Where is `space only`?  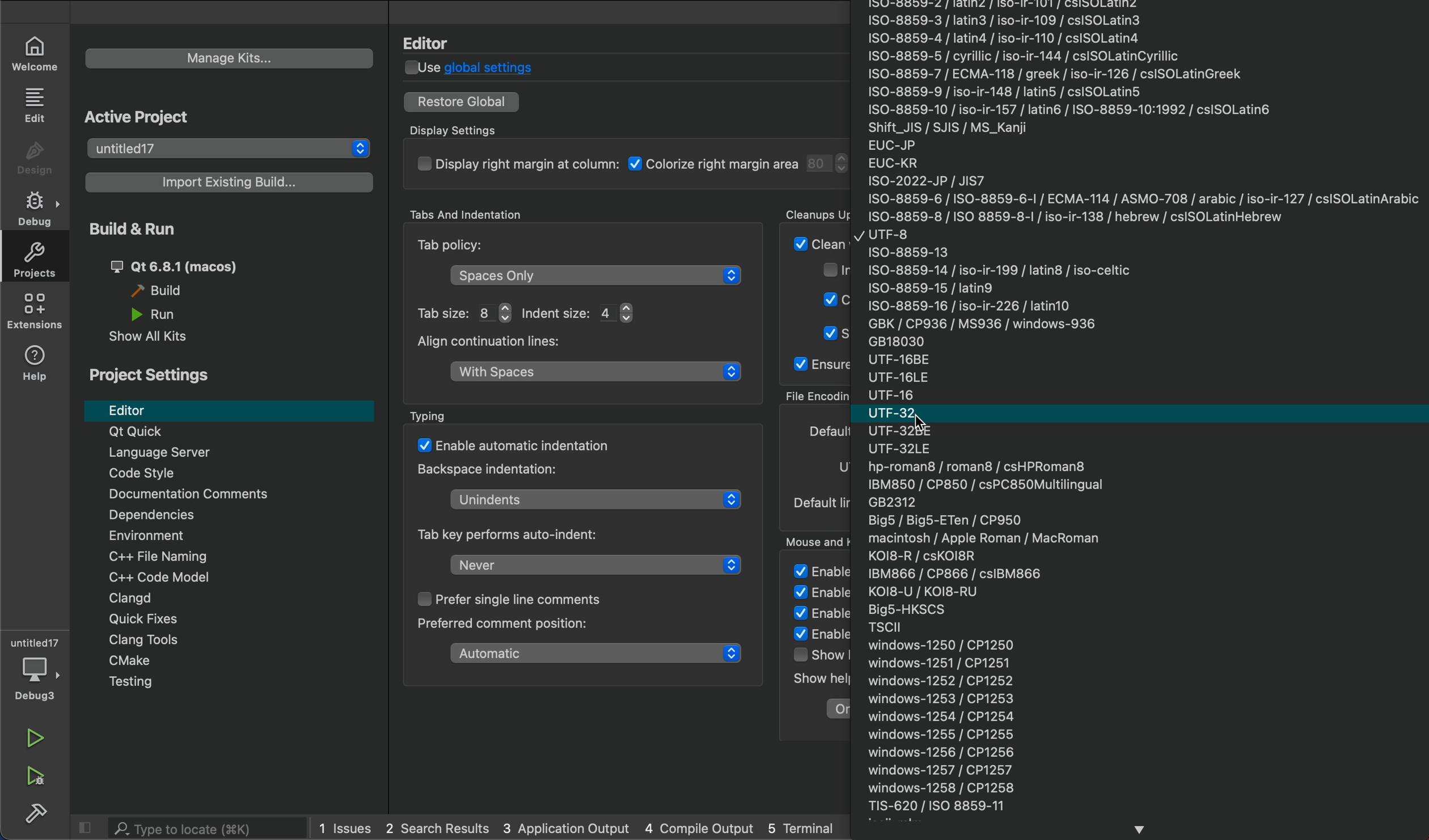
space only is located at coordinates (596, 275).